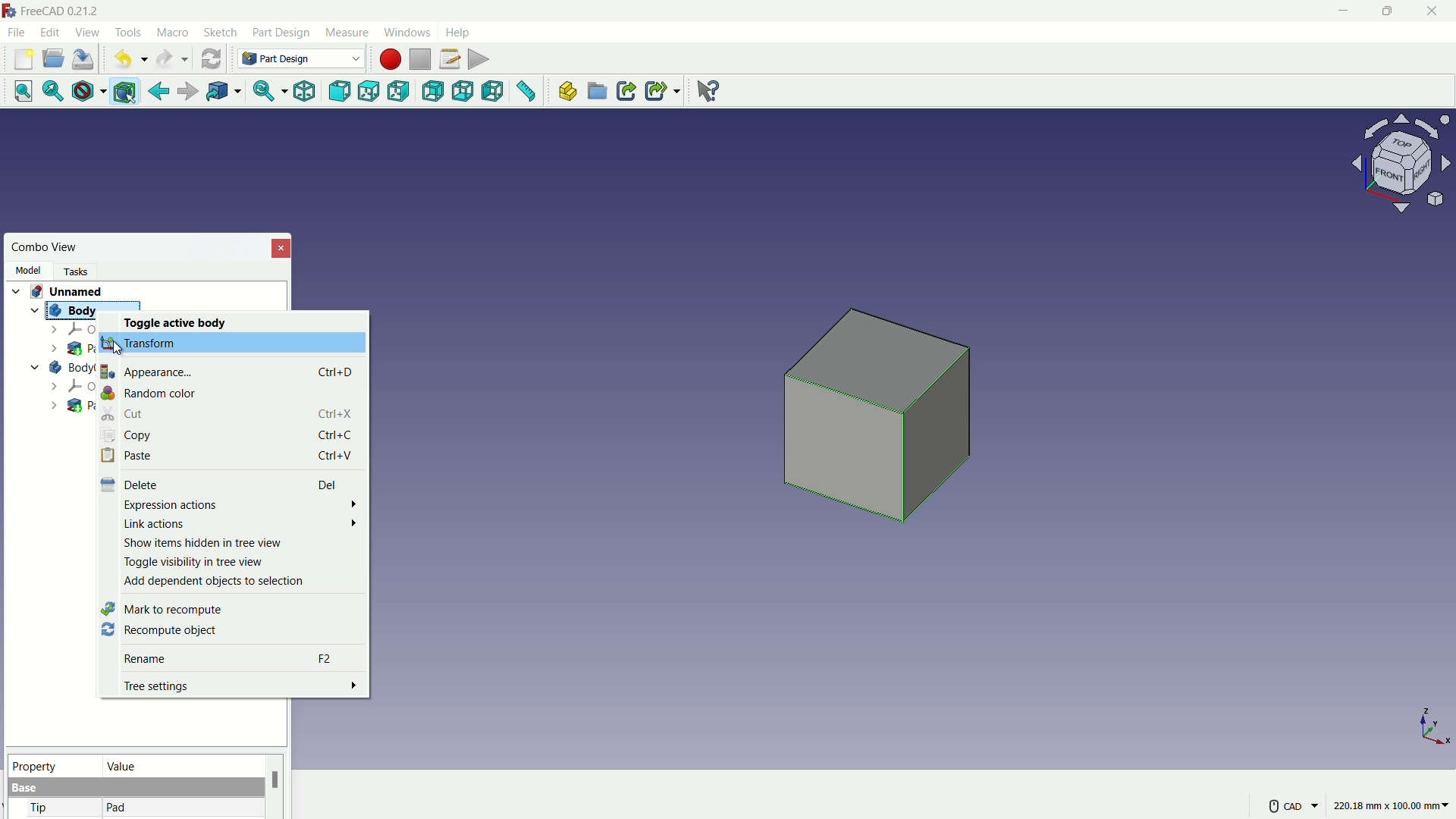  I want to click on Cut Ctrl+X, so click(228, 415).